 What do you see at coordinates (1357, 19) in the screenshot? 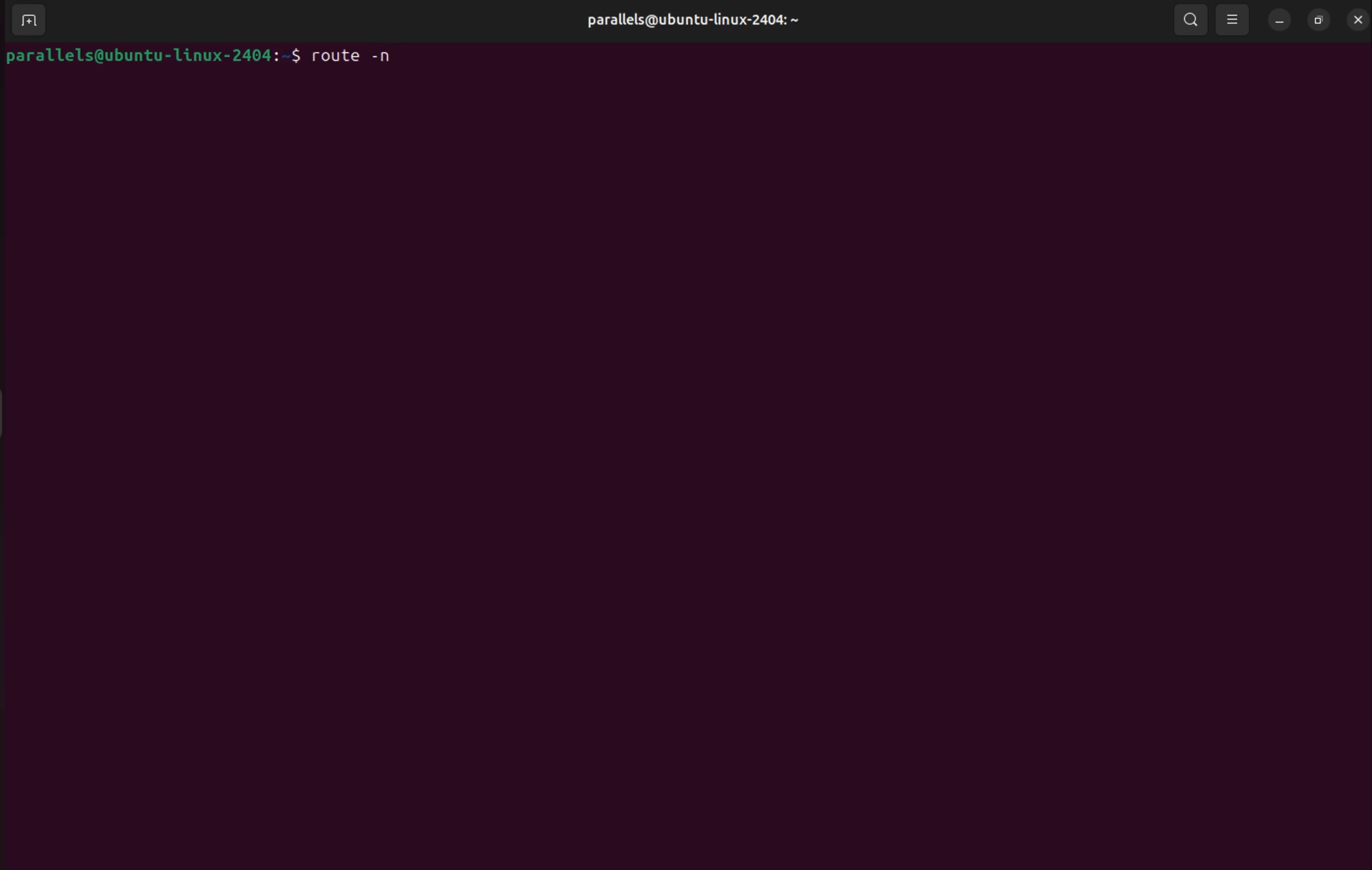
I see `close` at bounding box center [1357, 19].